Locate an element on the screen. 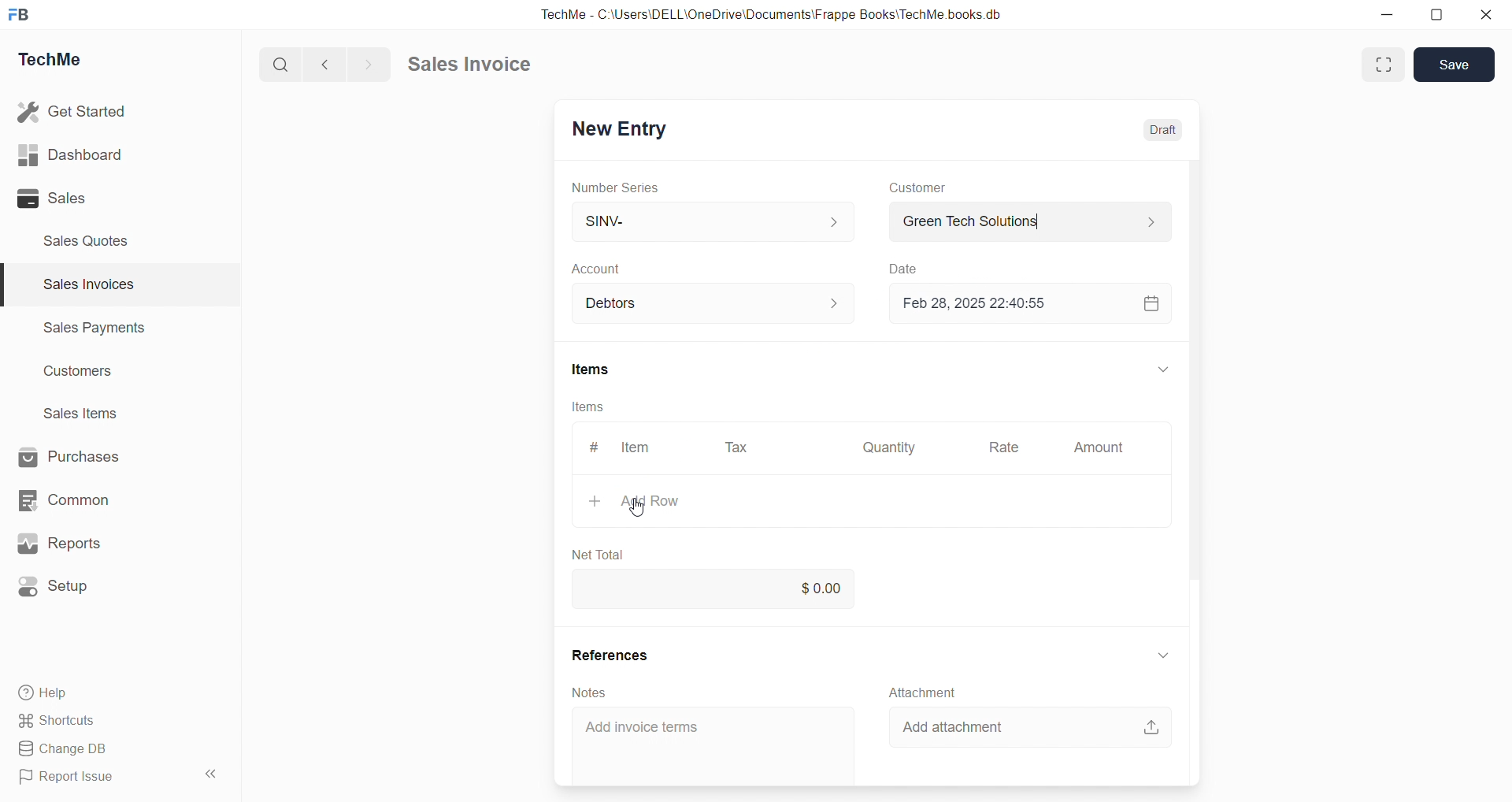 This screenshot has height=802, width=1512. References is located at coordinates (610, 655).